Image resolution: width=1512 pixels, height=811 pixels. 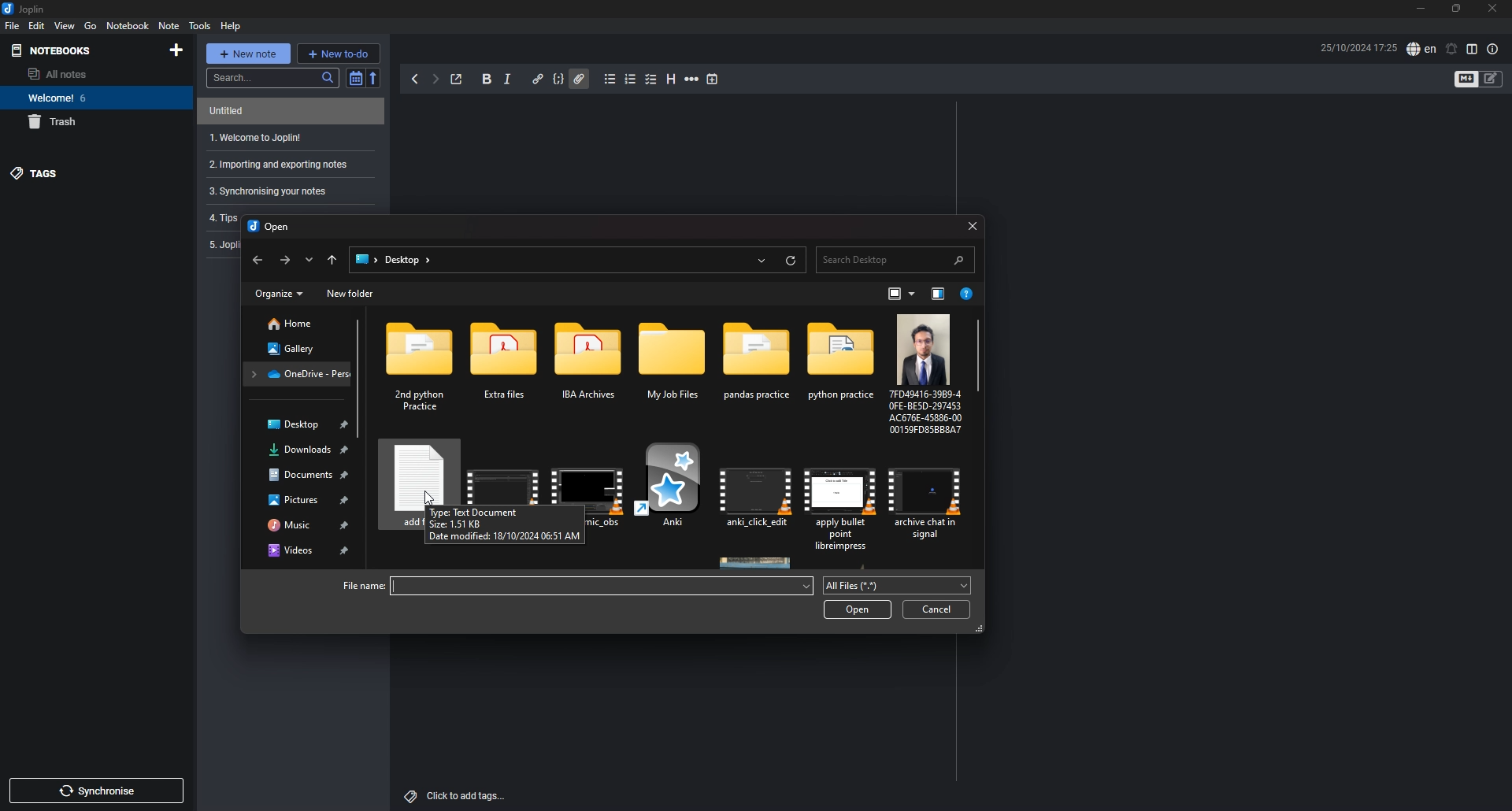 What do you see at coordinates (85, 174) in the screenshot?
I see `tags` at bounding box center [85, 174].